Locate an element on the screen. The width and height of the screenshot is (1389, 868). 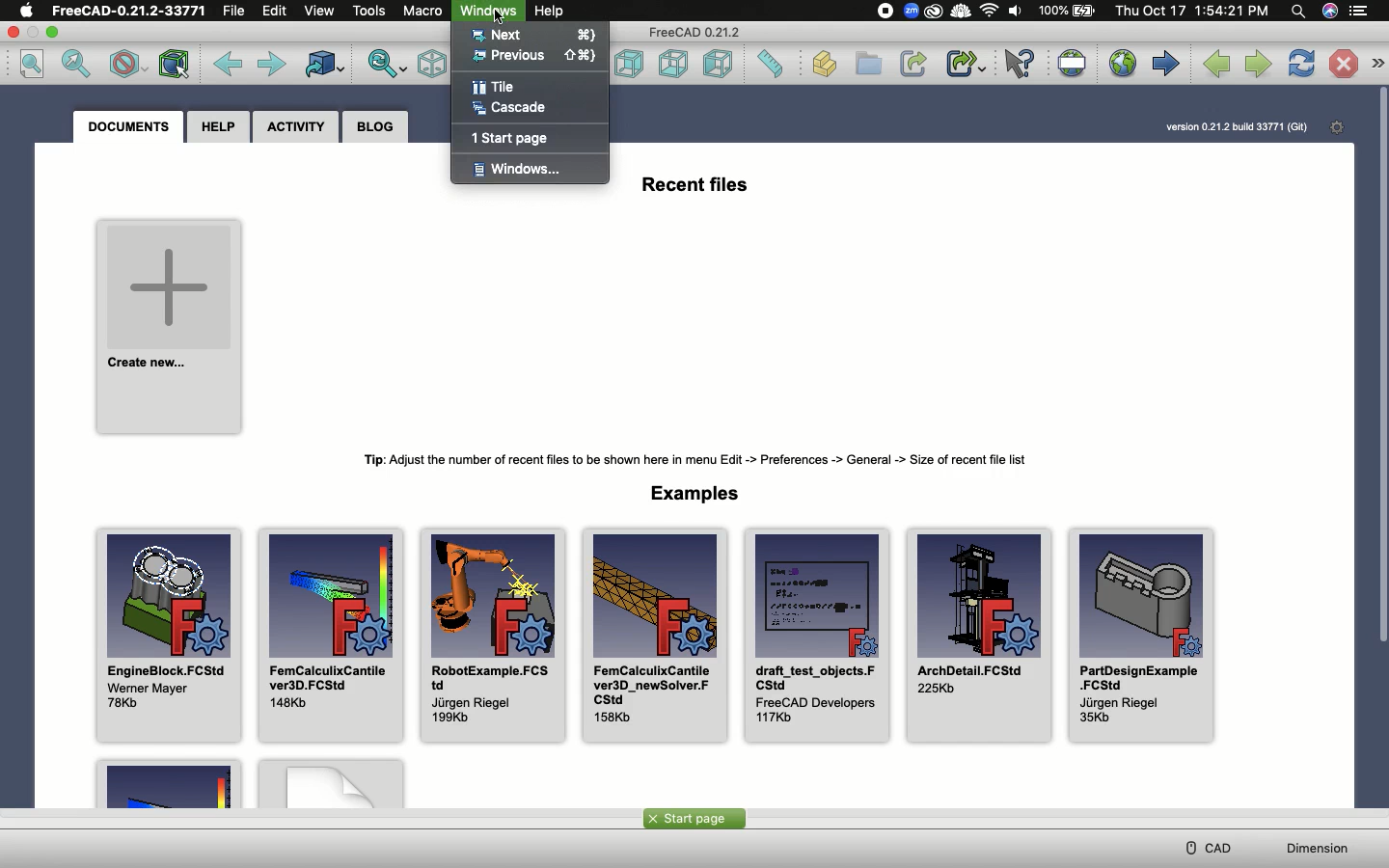
Left is located at coordinates (722, 64).